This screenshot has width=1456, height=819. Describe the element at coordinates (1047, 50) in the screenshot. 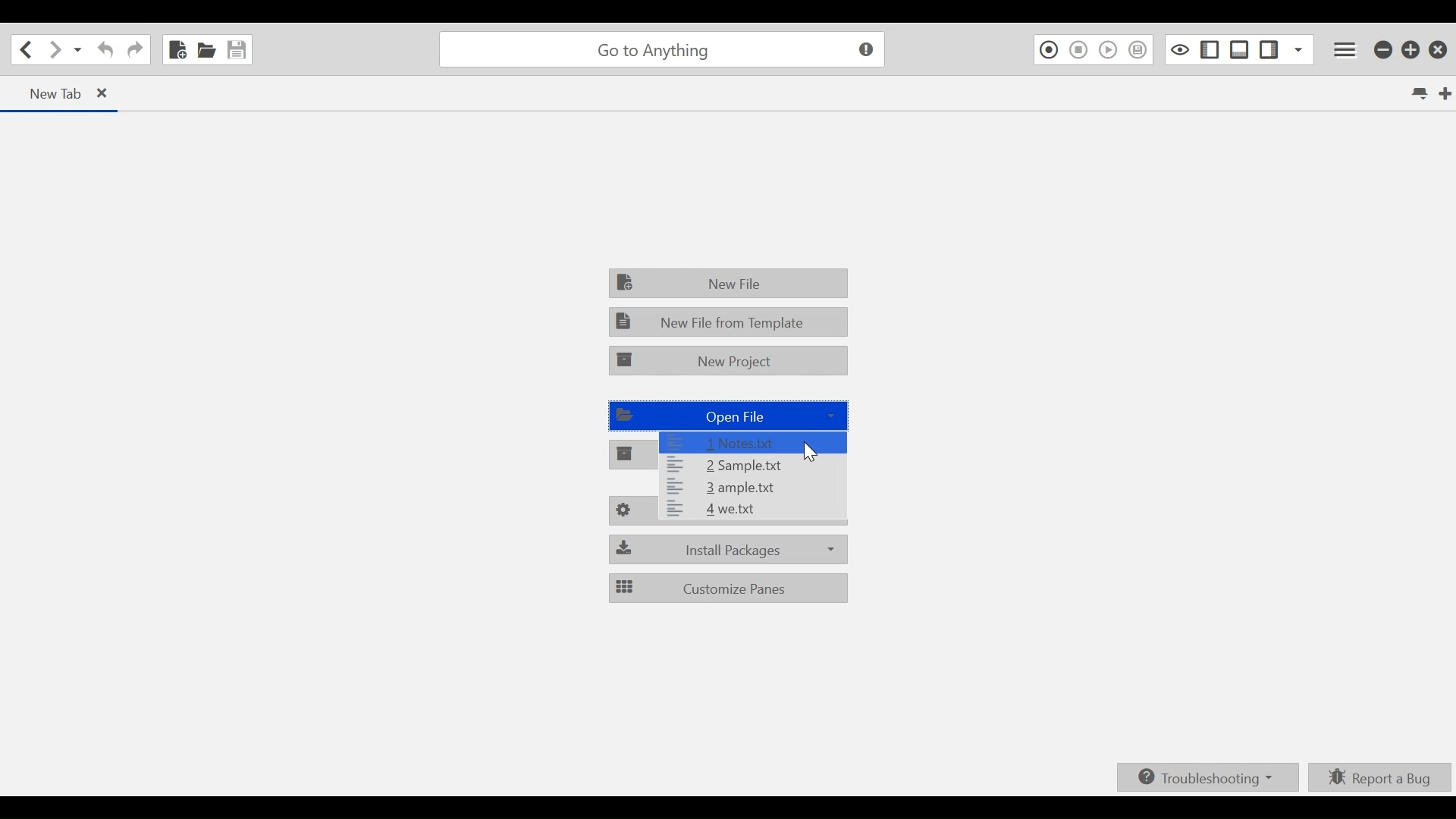

I see `Recording Macro` at that location.